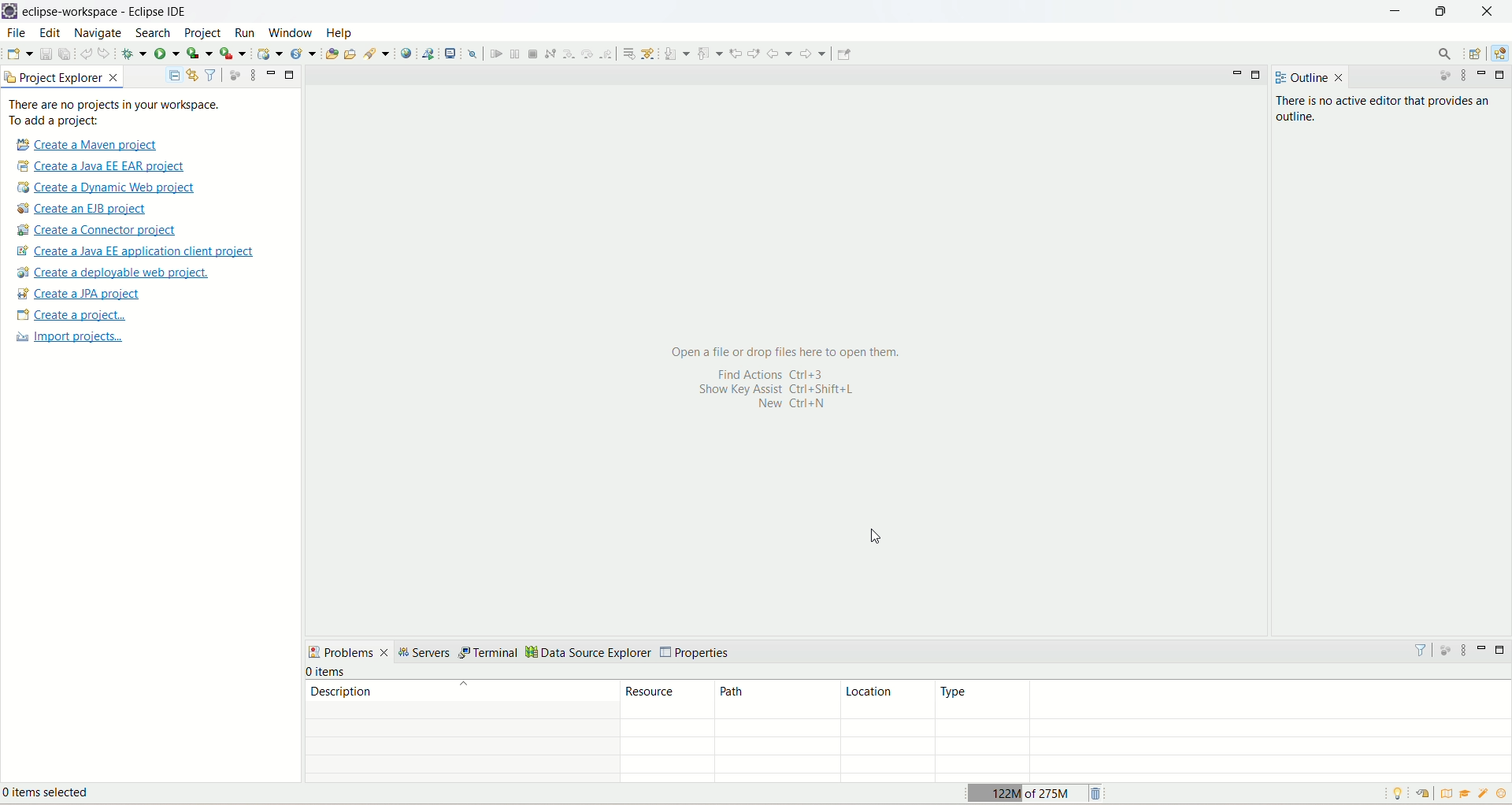 Image resolution: width=1512 pixels, height=805 pixels. I want to click on view menu, so click(1466, 77).